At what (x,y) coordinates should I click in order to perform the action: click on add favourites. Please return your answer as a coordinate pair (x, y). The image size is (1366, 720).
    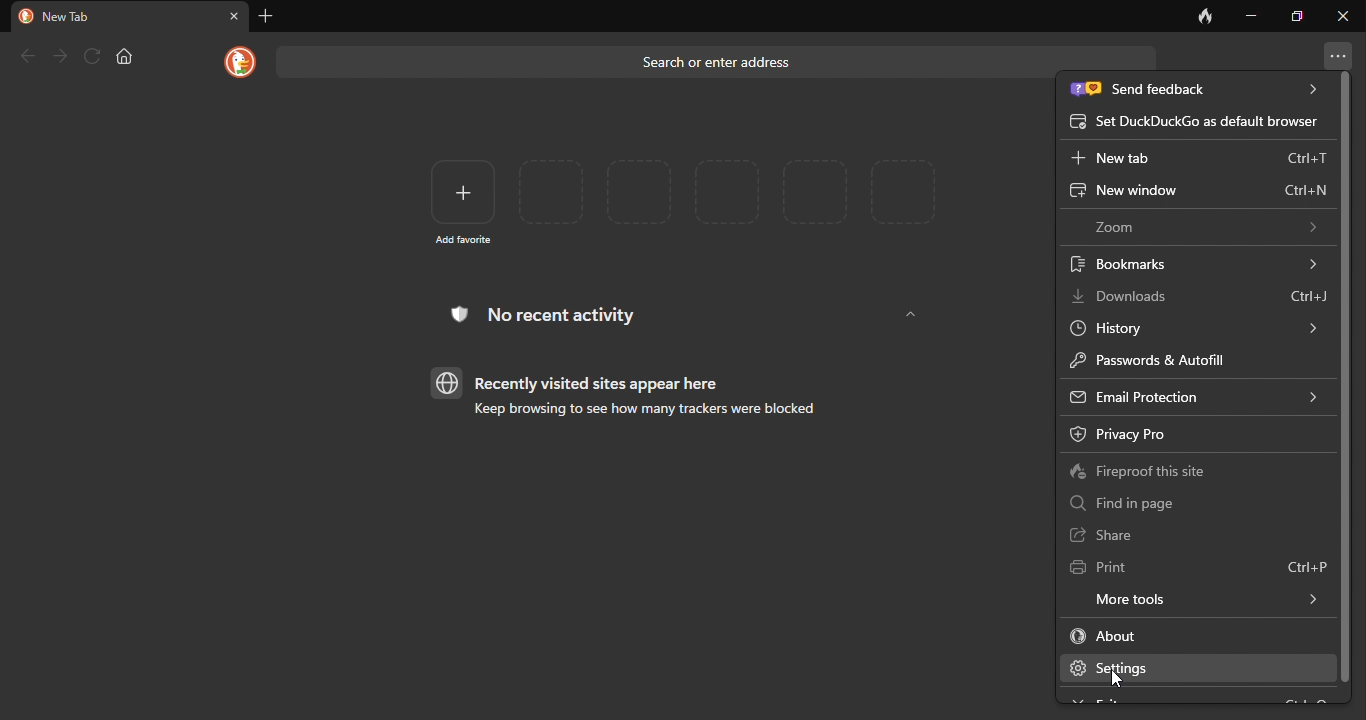
    Looking at the image, I should click on (457, 199).